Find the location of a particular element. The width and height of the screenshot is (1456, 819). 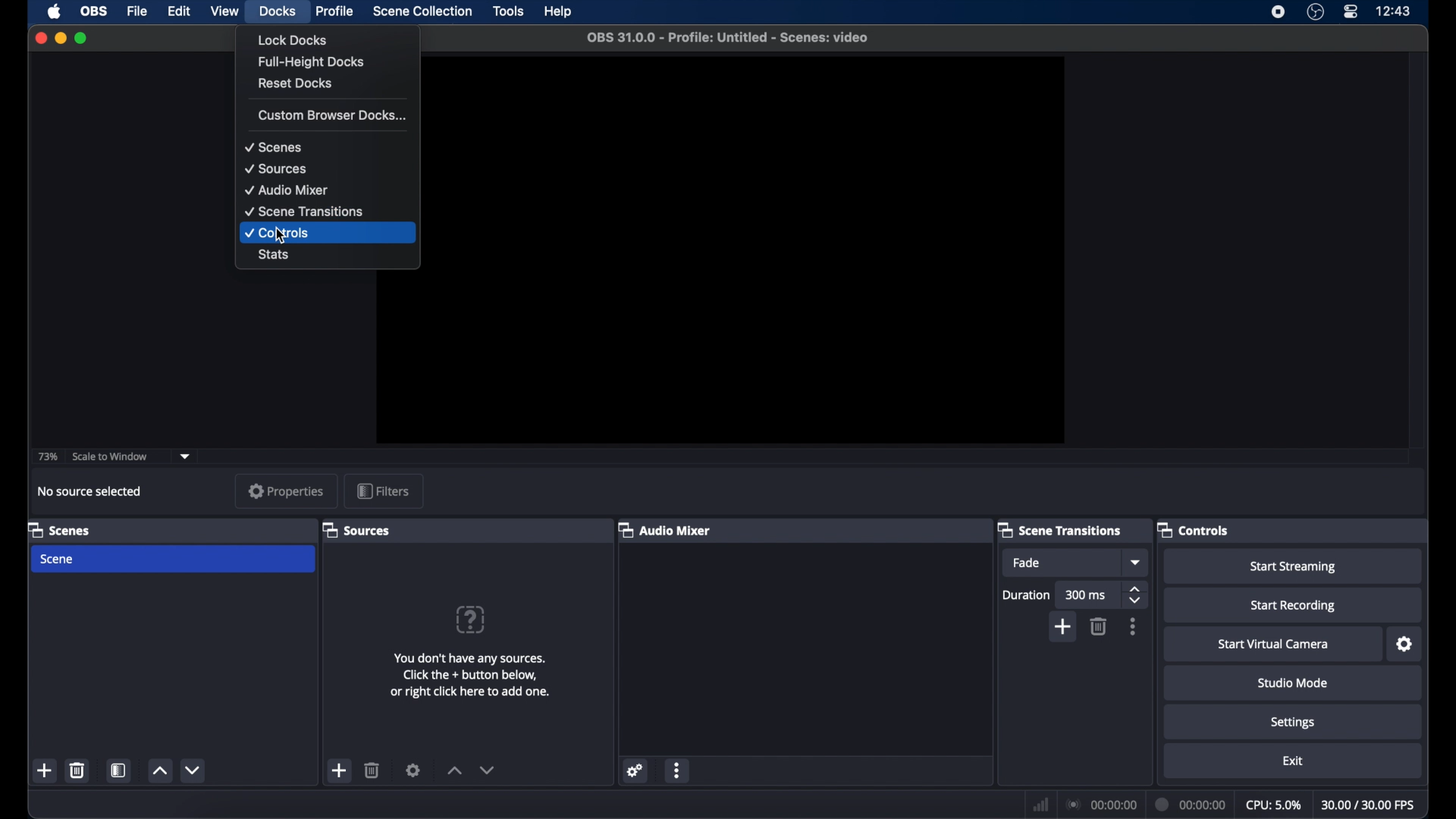

scene collection is located at coordinates (422, 11).